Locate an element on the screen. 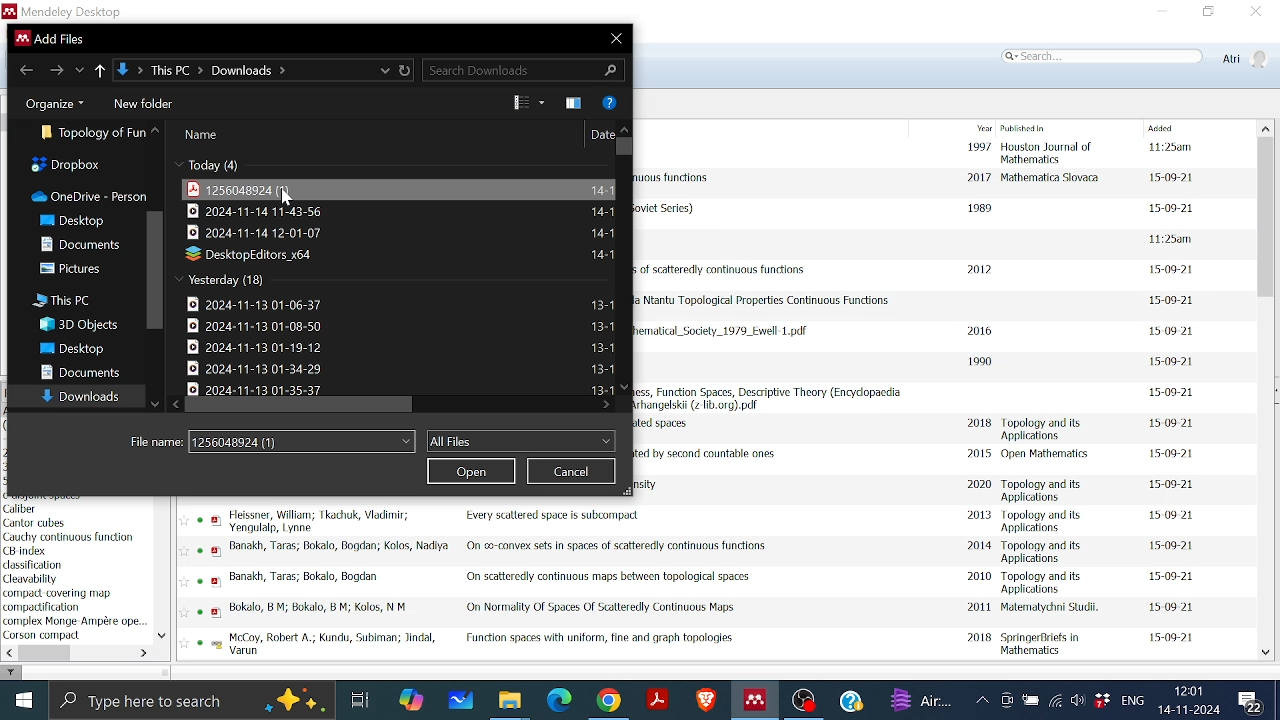 The image size is (1280, 720). Notifications is located at coordinates (1254, 701).